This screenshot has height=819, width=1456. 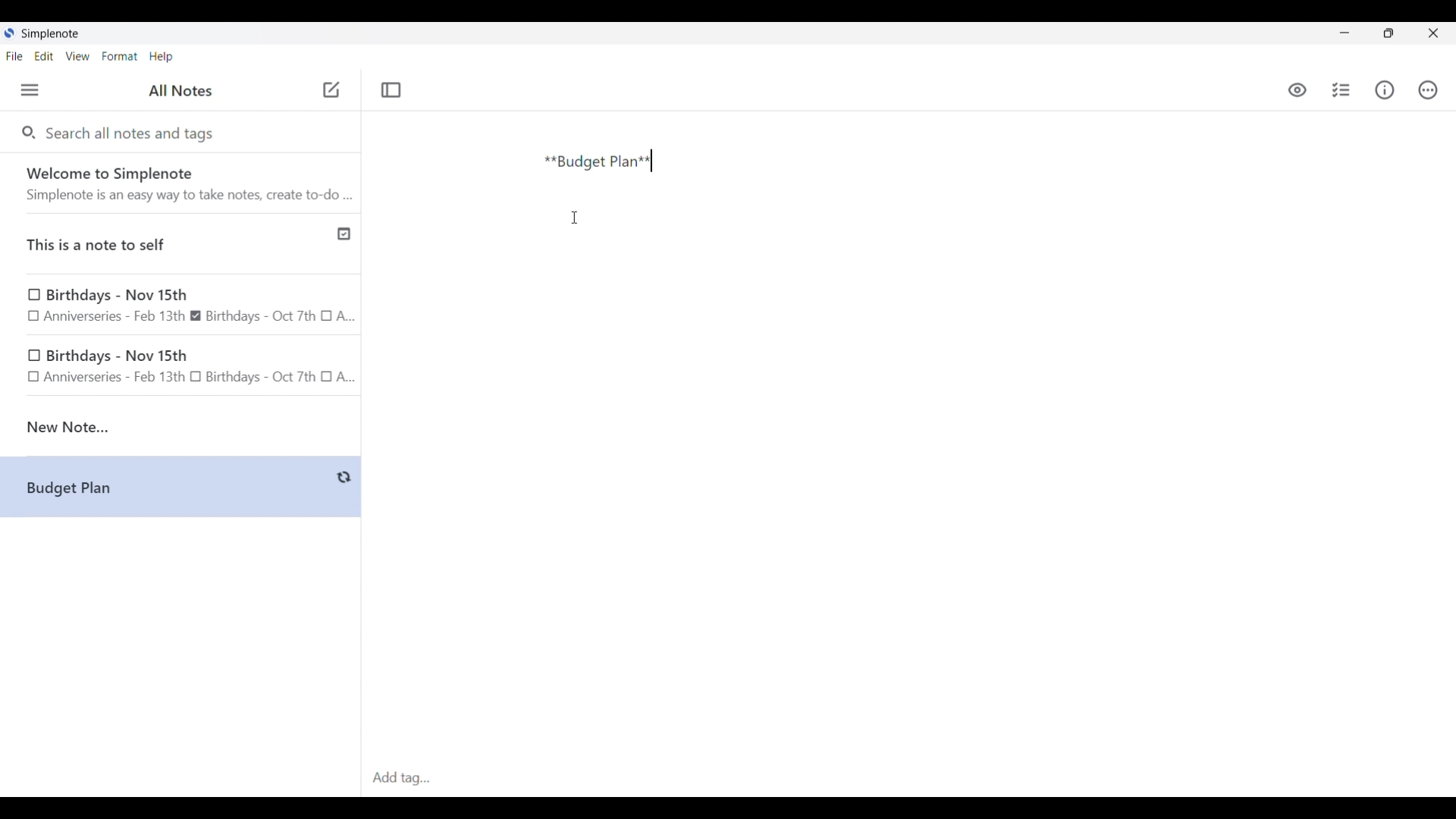 I want to click on File menu, so click(x=14, y=55).